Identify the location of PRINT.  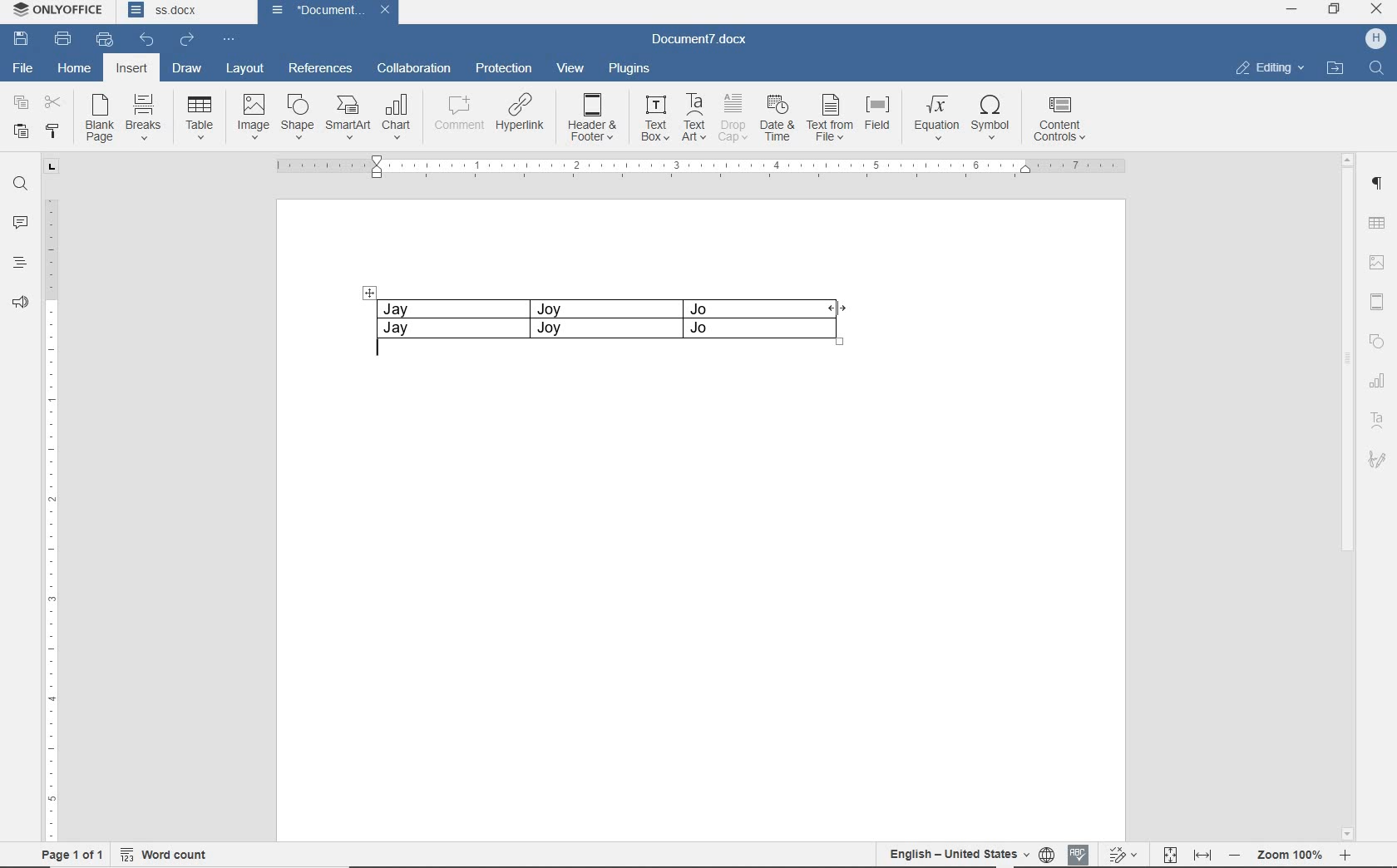
(62, 40).